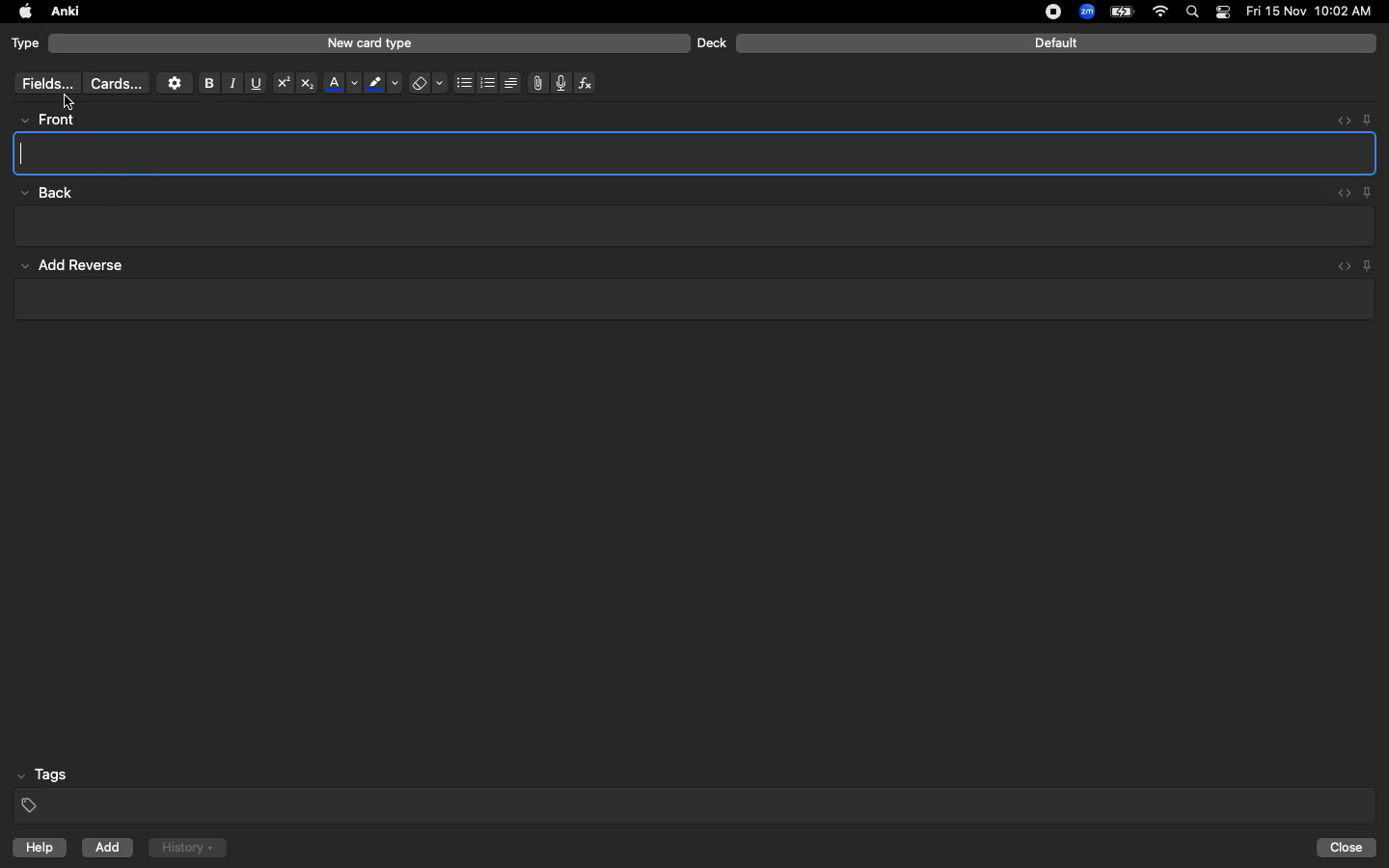 The image size is (1389, 868). I want to click on Embed, so click(1340, 194).